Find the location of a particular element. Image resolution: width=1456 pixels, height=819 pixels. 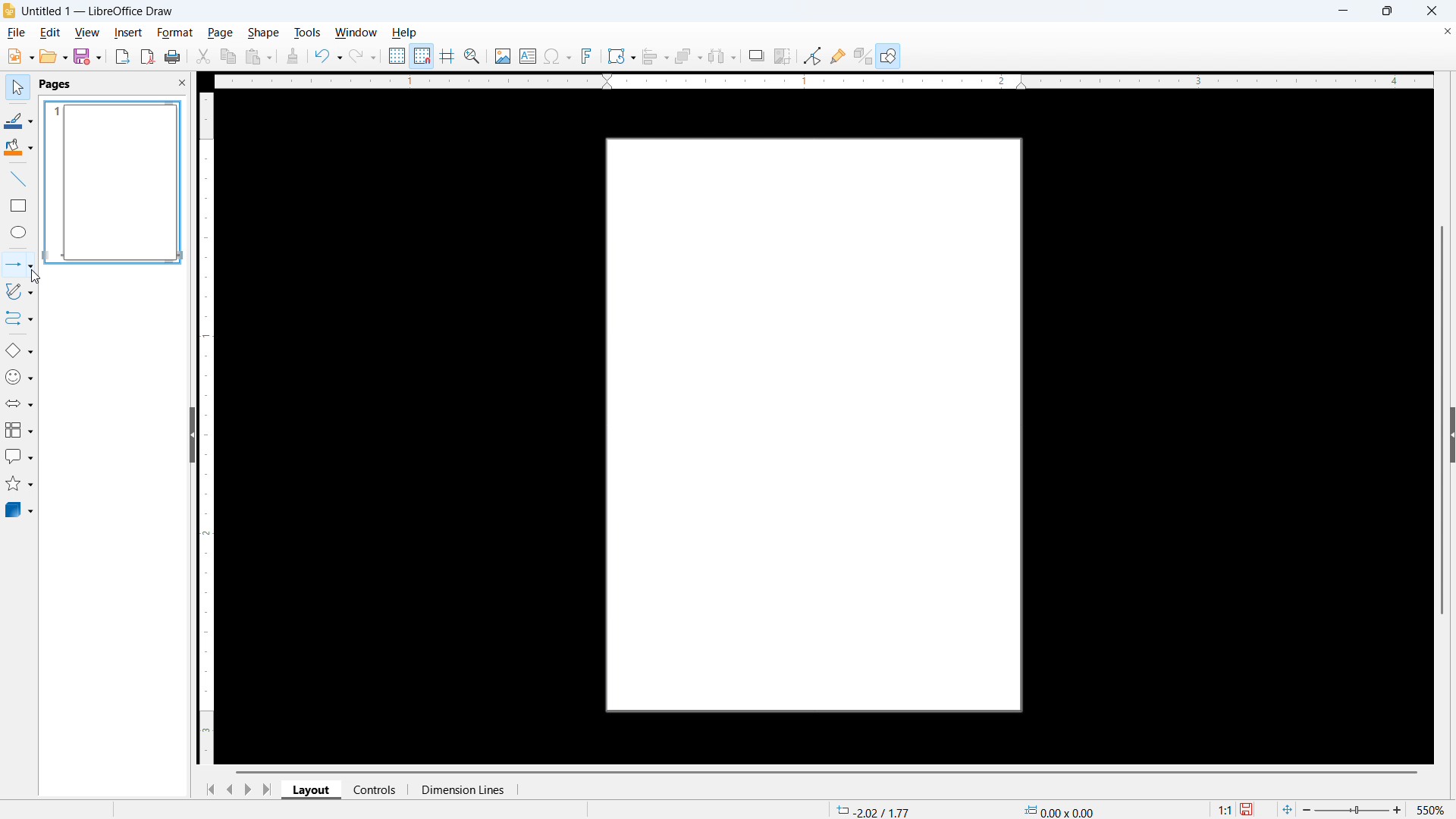

Help  is located at coordinates (403, 33).